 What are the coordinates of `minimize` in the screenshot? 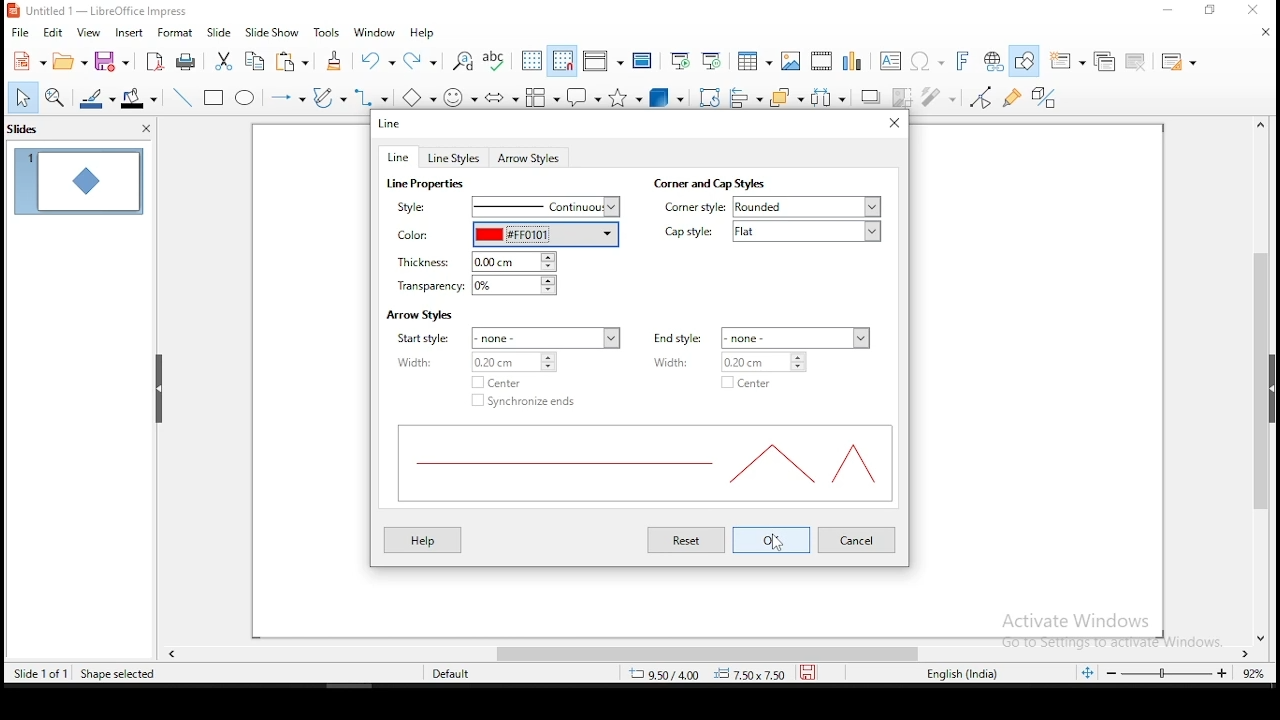 It's located at (1169, 11).